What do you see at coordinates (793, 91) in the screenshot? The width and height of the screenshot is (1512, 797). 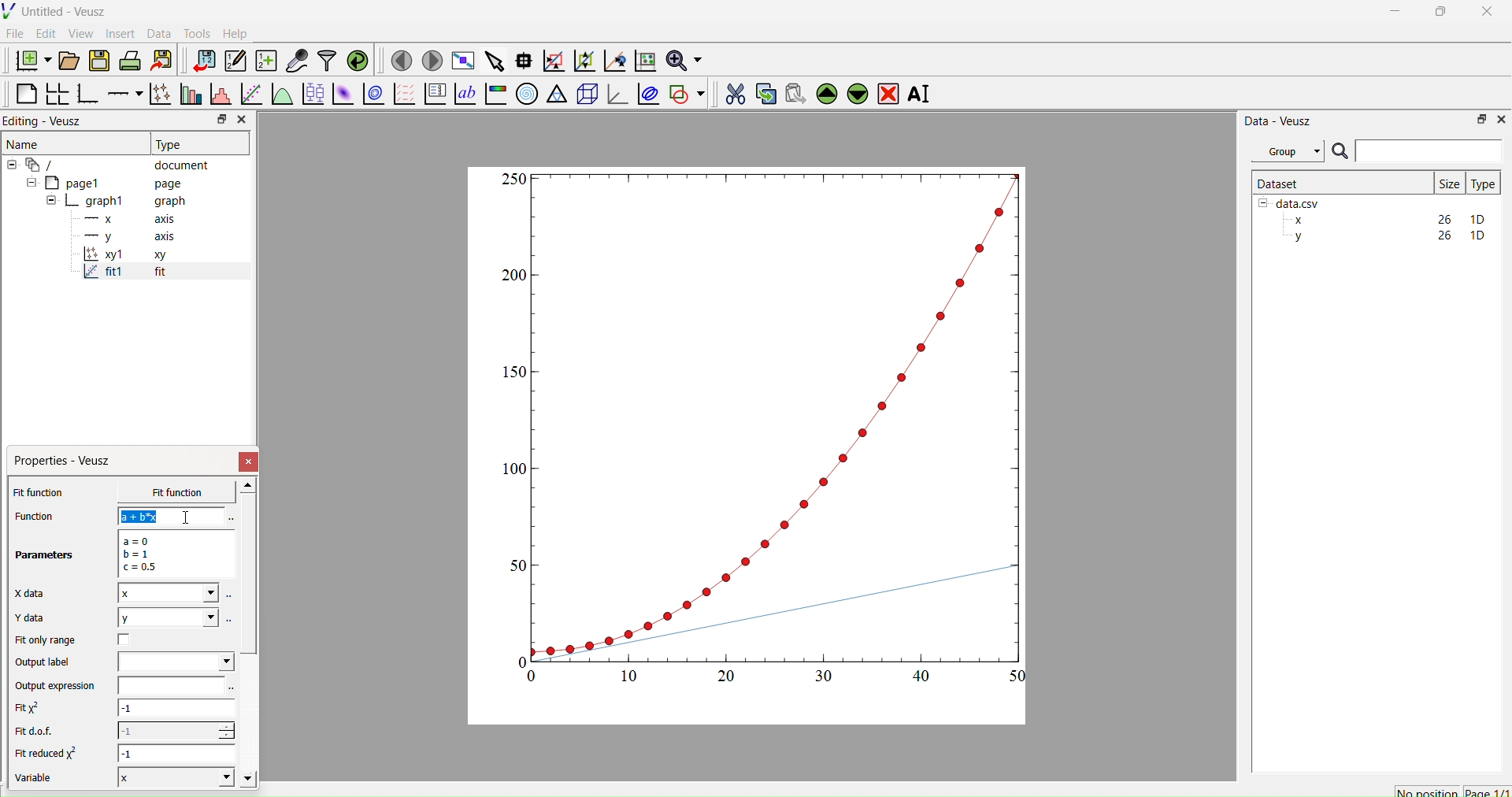 I see `Paste` at bounding box center [793, 91].